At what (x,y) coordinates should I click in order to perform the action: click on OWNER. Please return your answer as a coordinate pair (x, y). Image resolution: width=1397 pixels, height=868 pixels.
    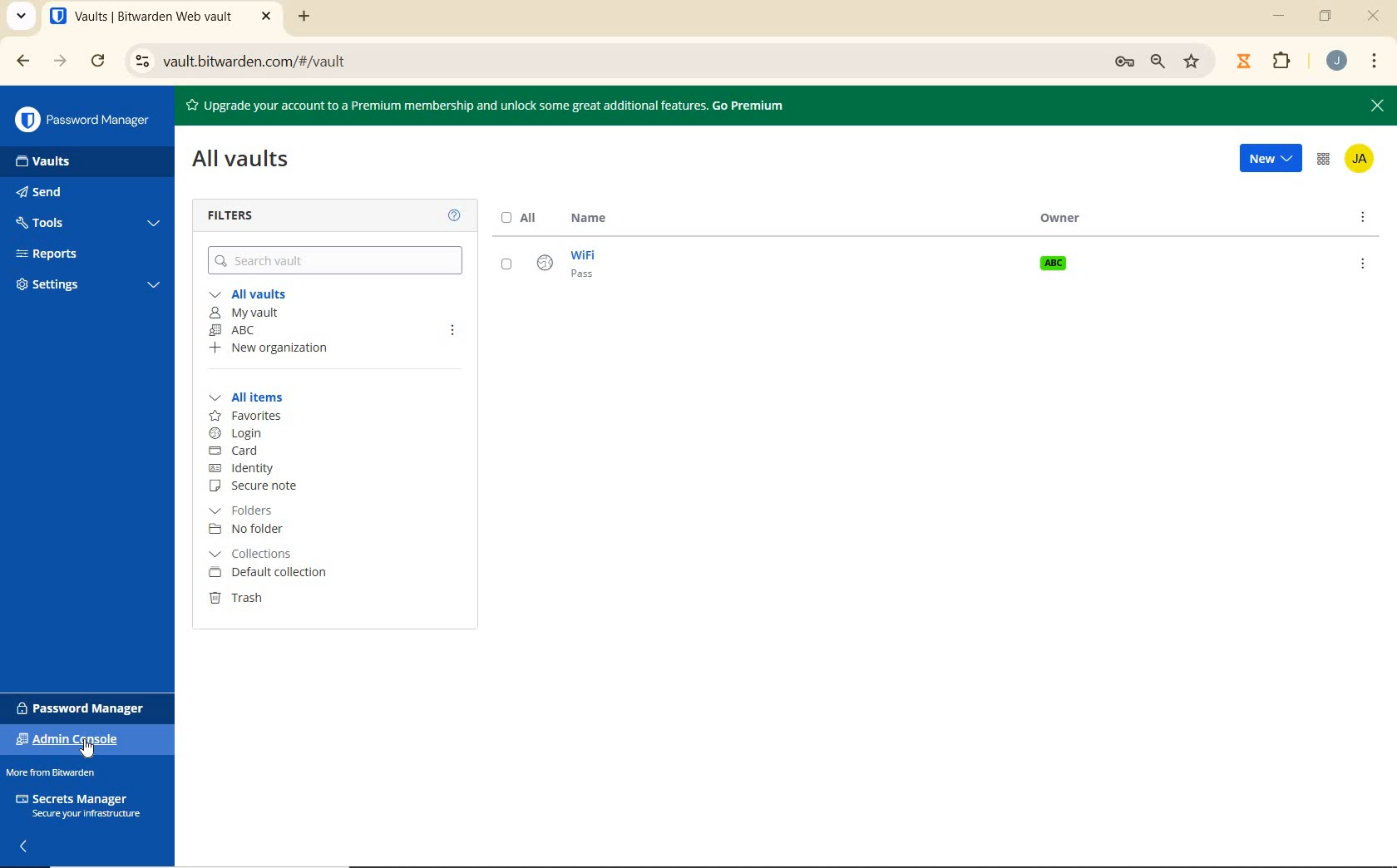
    Looking at the image, I should click on (1066, 219).